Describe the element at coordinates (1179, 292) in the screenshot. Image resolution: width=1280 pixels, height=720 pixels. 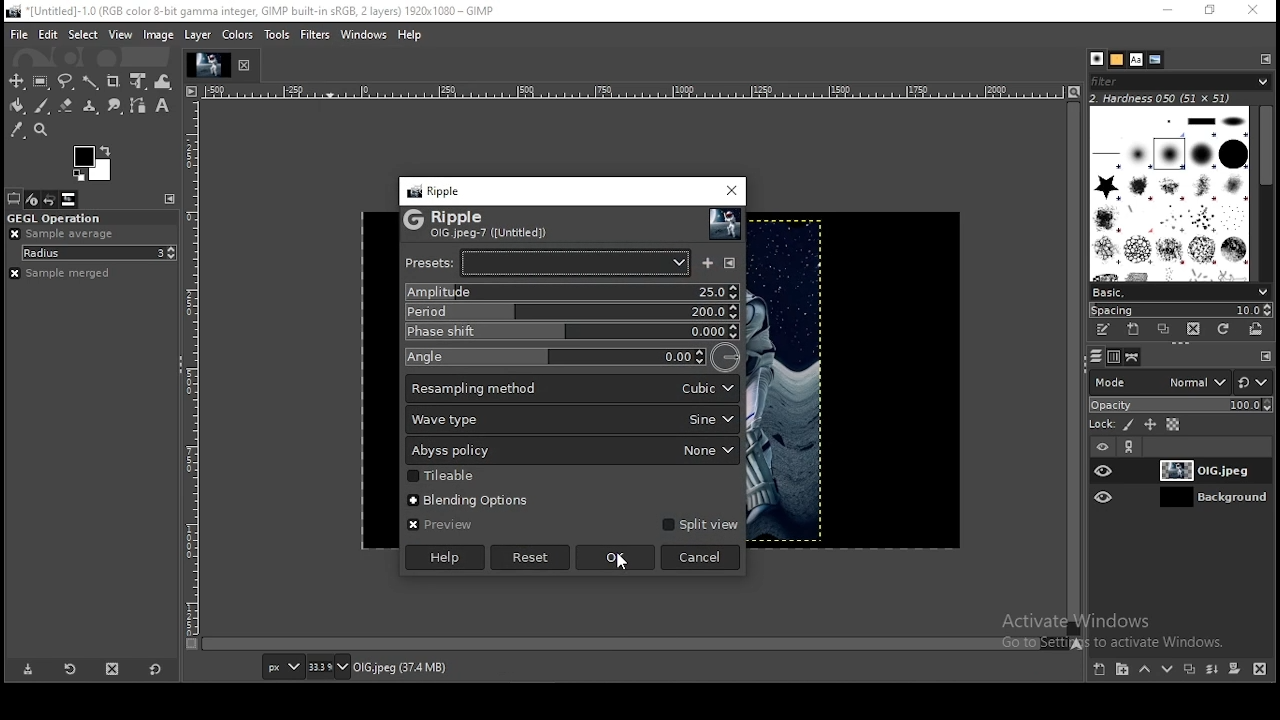
I see `brush presets` at that location.